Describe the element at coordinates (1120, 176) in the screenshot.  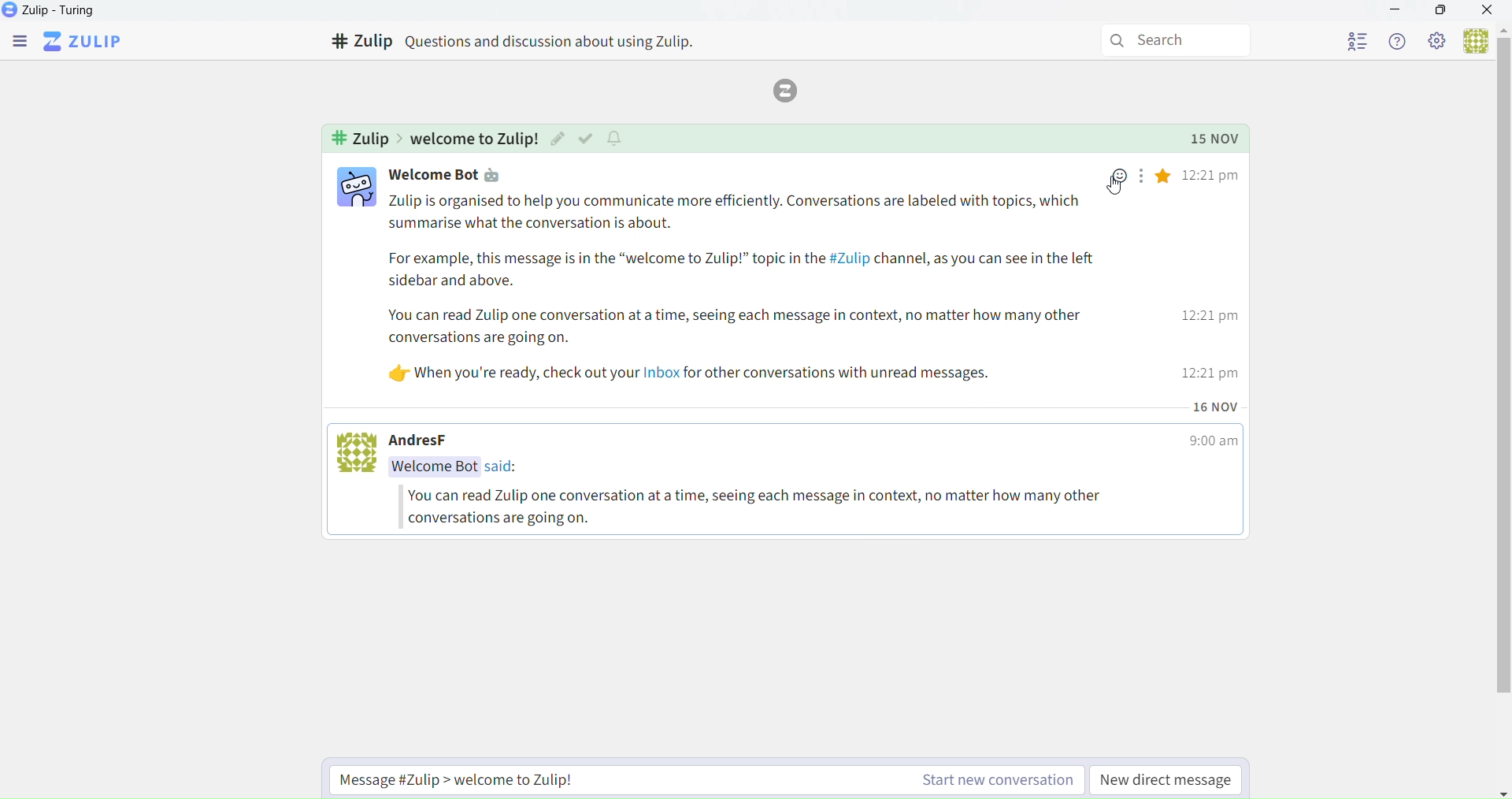
I see `emoji` at that location.